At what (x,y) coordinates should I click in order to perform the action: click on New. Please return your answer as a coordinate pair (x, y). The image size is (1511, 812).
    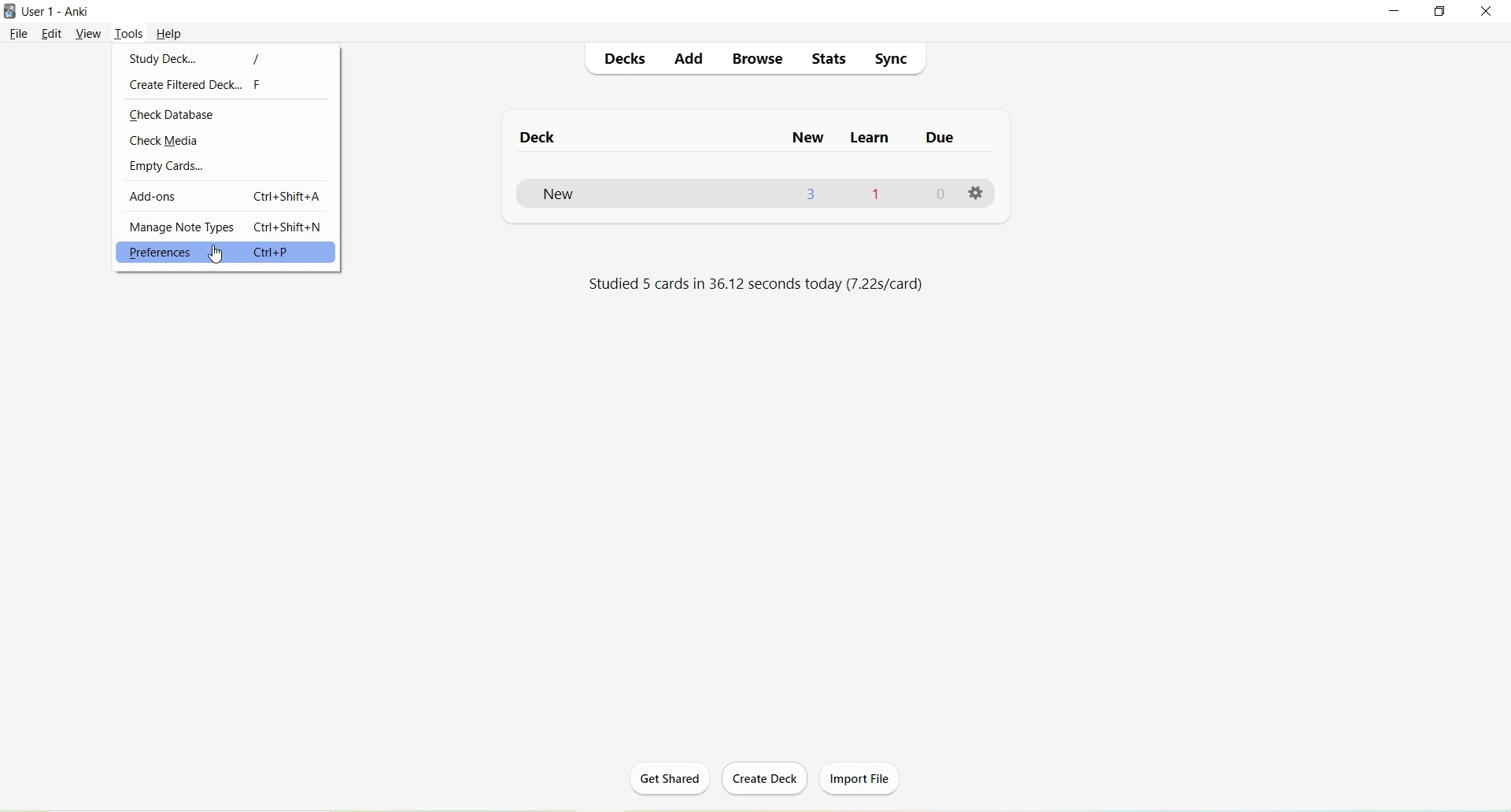
    Looking at the image, I should click on (579, 194).